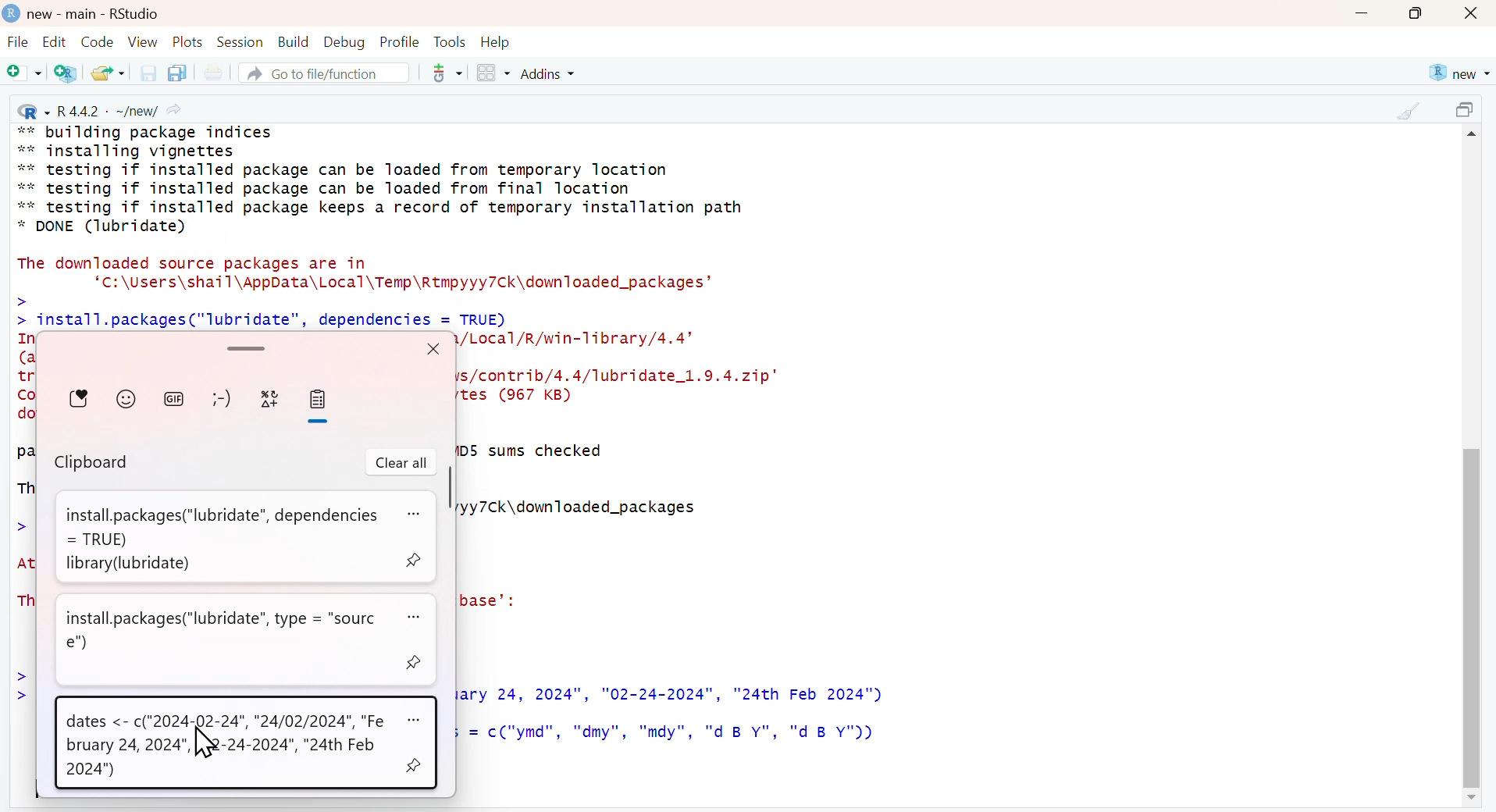 This screenshot has width=1496, height=812. Describe the element at coordinates (80, 398) in the screenshot. I see `favorite` at that location.